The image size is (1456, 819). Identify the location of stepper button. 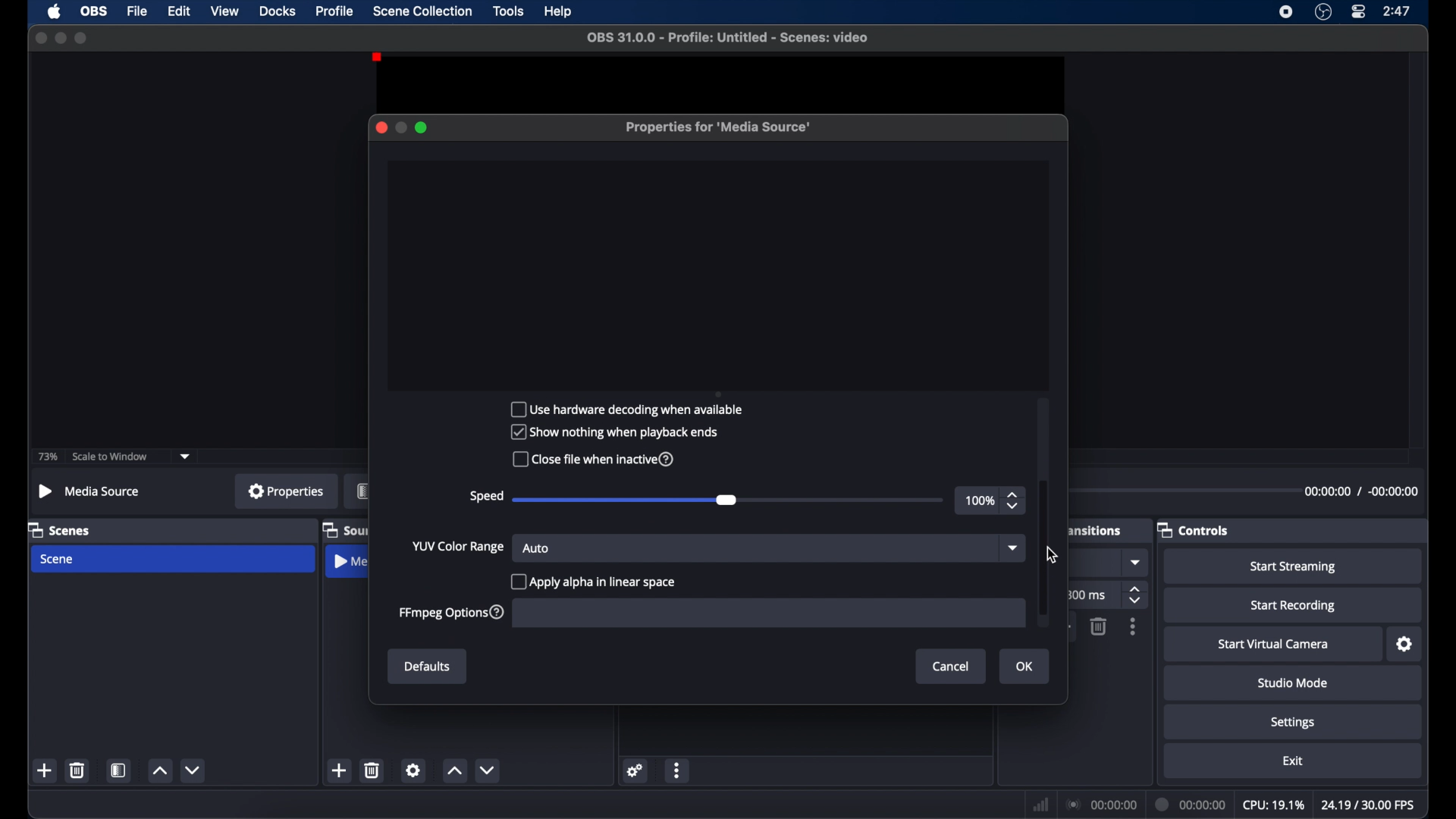
(1013, 501).